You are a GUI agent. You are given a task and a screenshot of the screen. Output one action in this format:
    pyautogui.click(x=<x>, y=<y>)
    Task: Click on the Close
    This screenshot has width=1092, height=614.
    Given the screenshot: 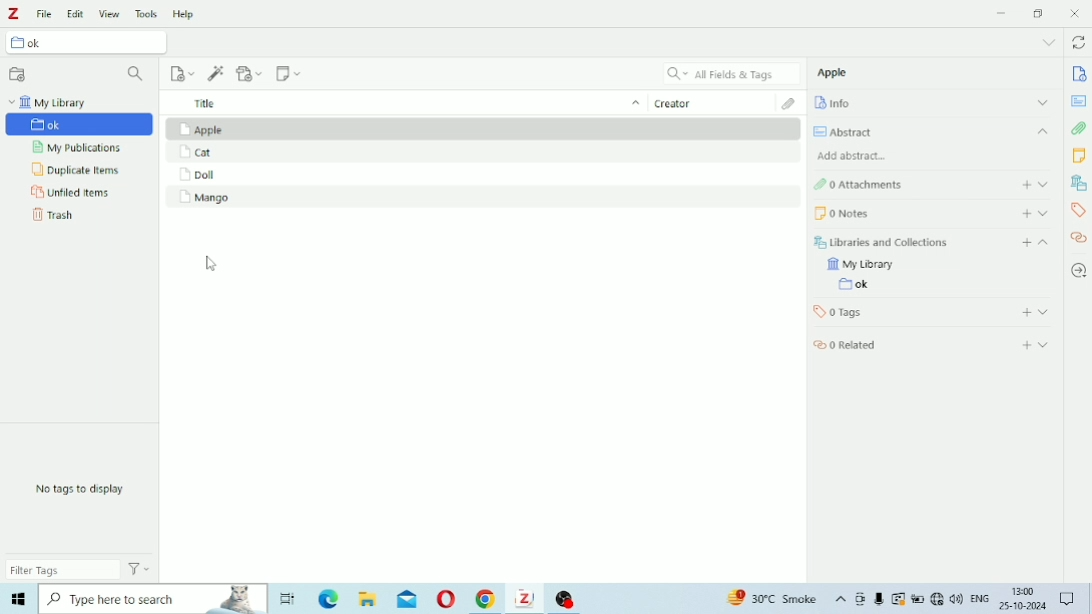 What is the action you would take?
    pyautogui.click(x=1075, y=14)
    